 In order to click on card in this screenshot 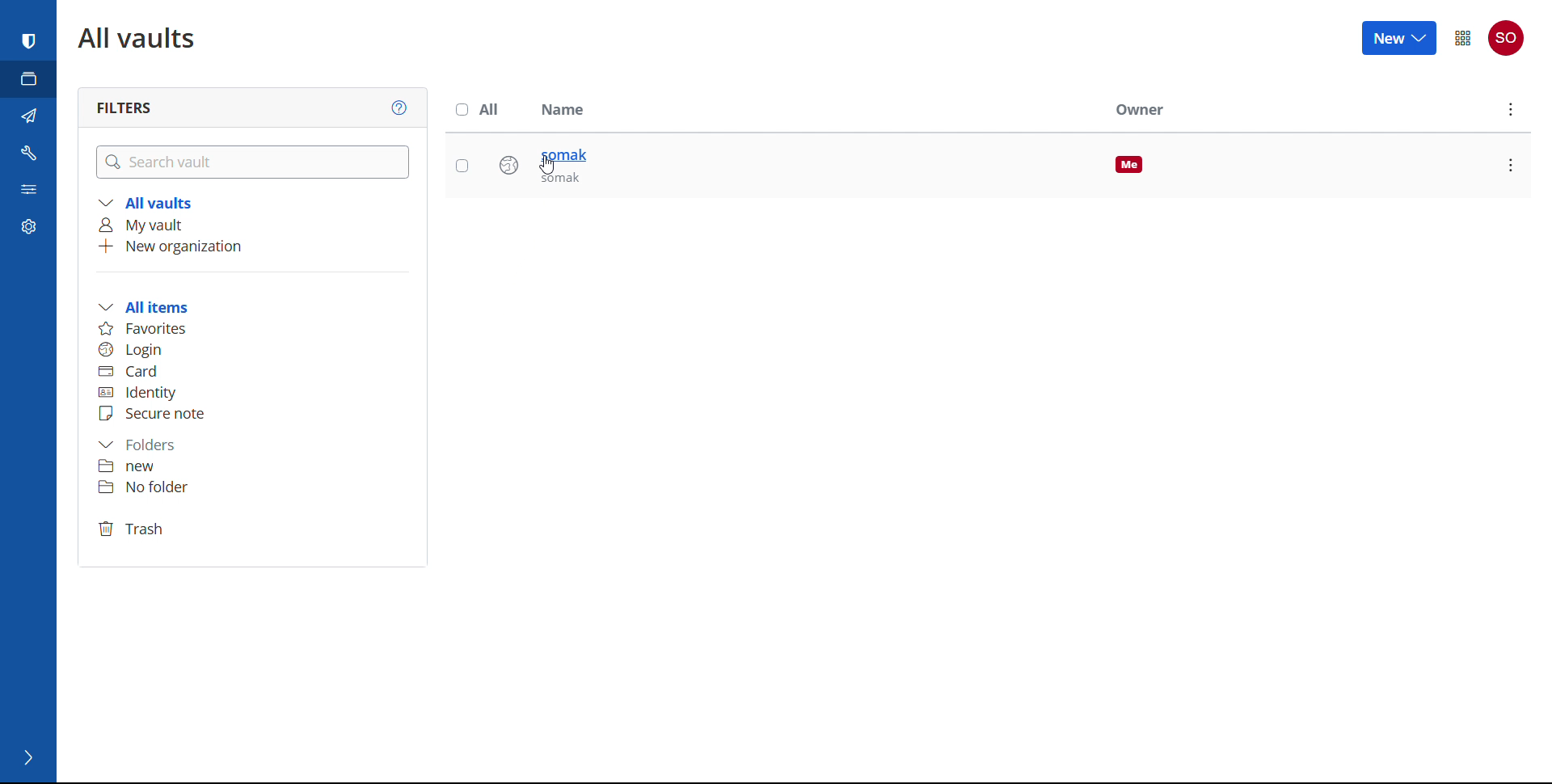, I will do `click(248, 372)`.